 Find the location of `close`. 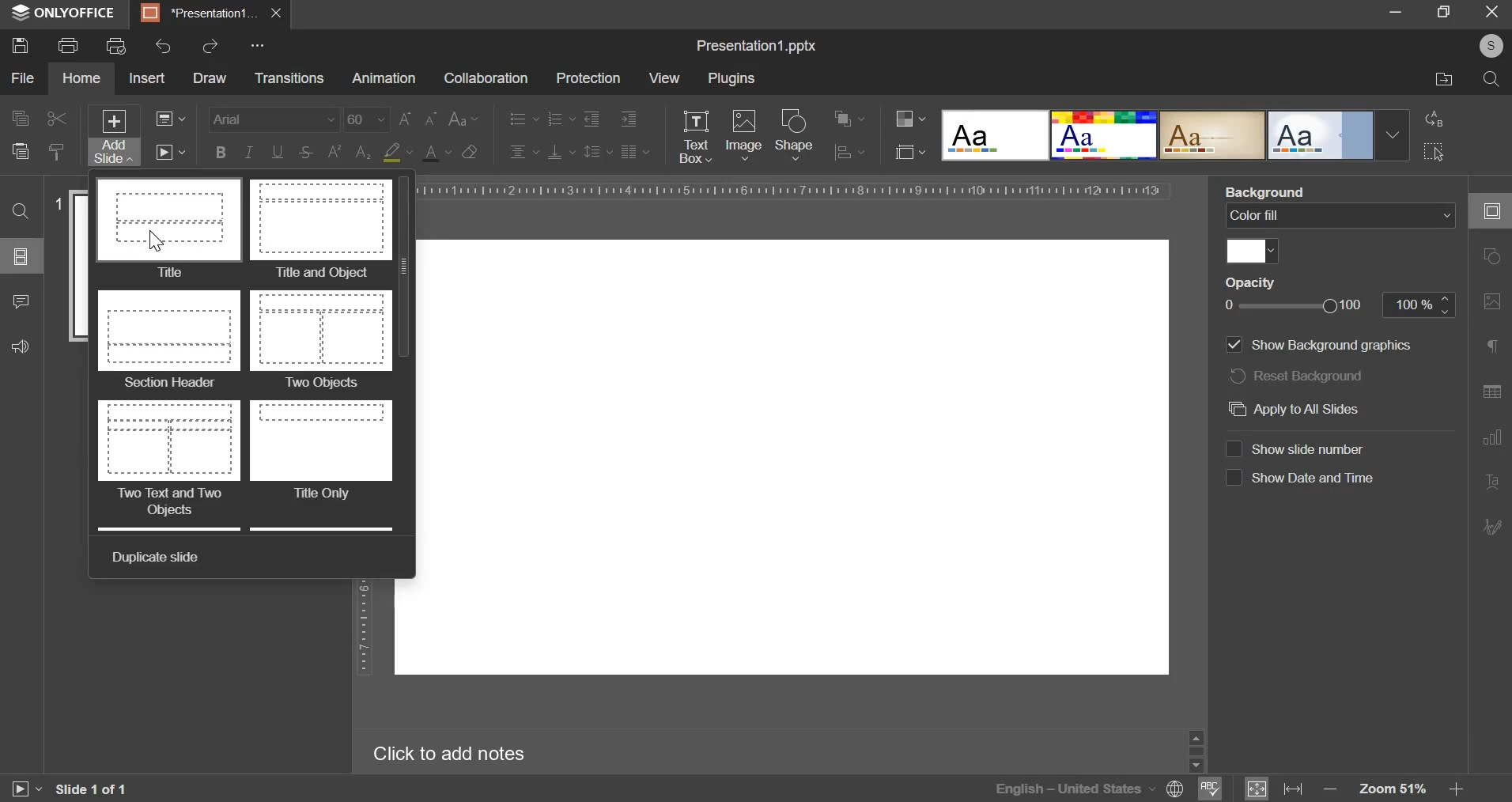

close is located at coordinates (276, 13).